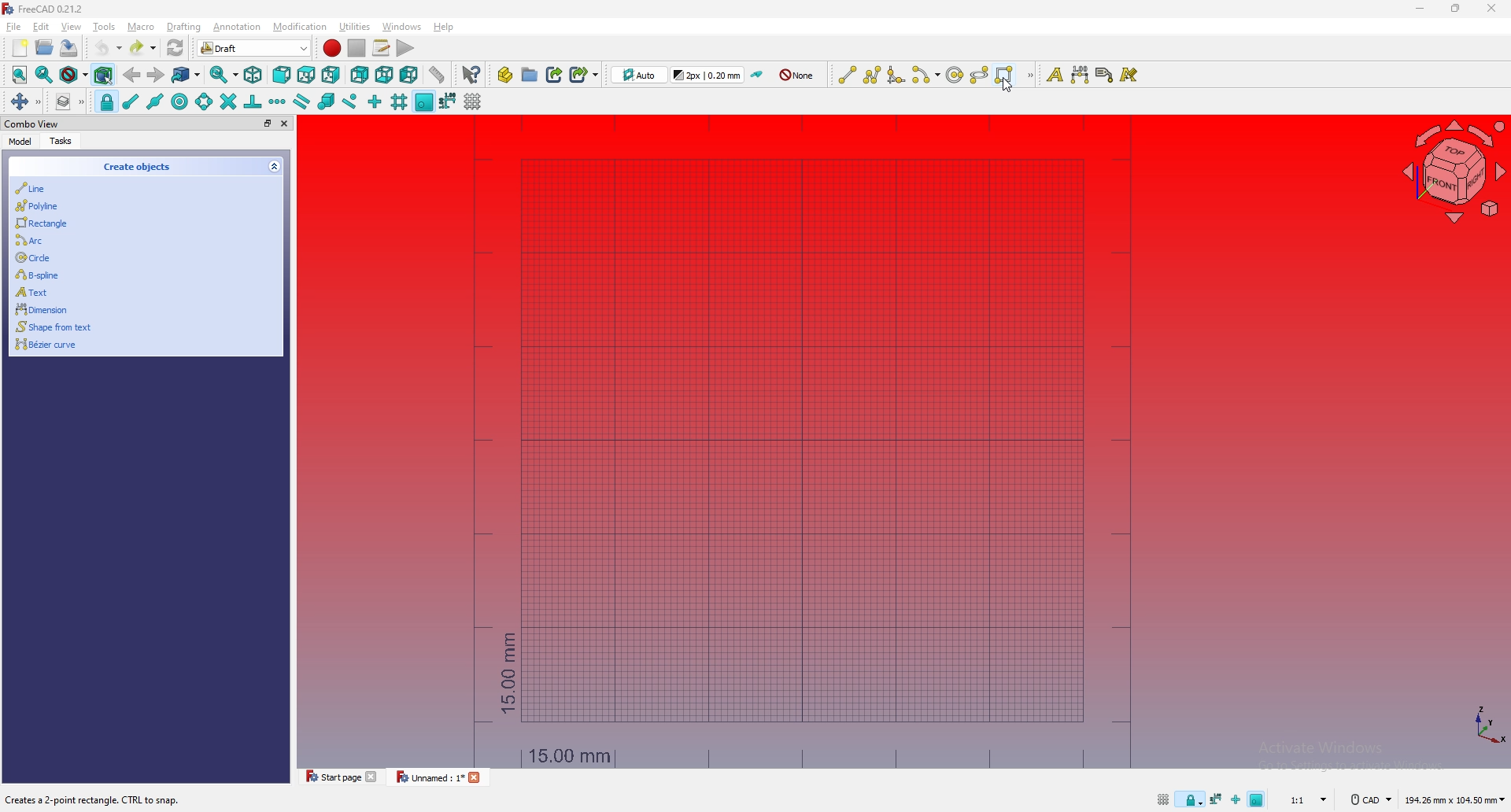 Image resolution: width=1511 pixels, height=812 pixels. I want to click on shape from text, so click(138, 326).